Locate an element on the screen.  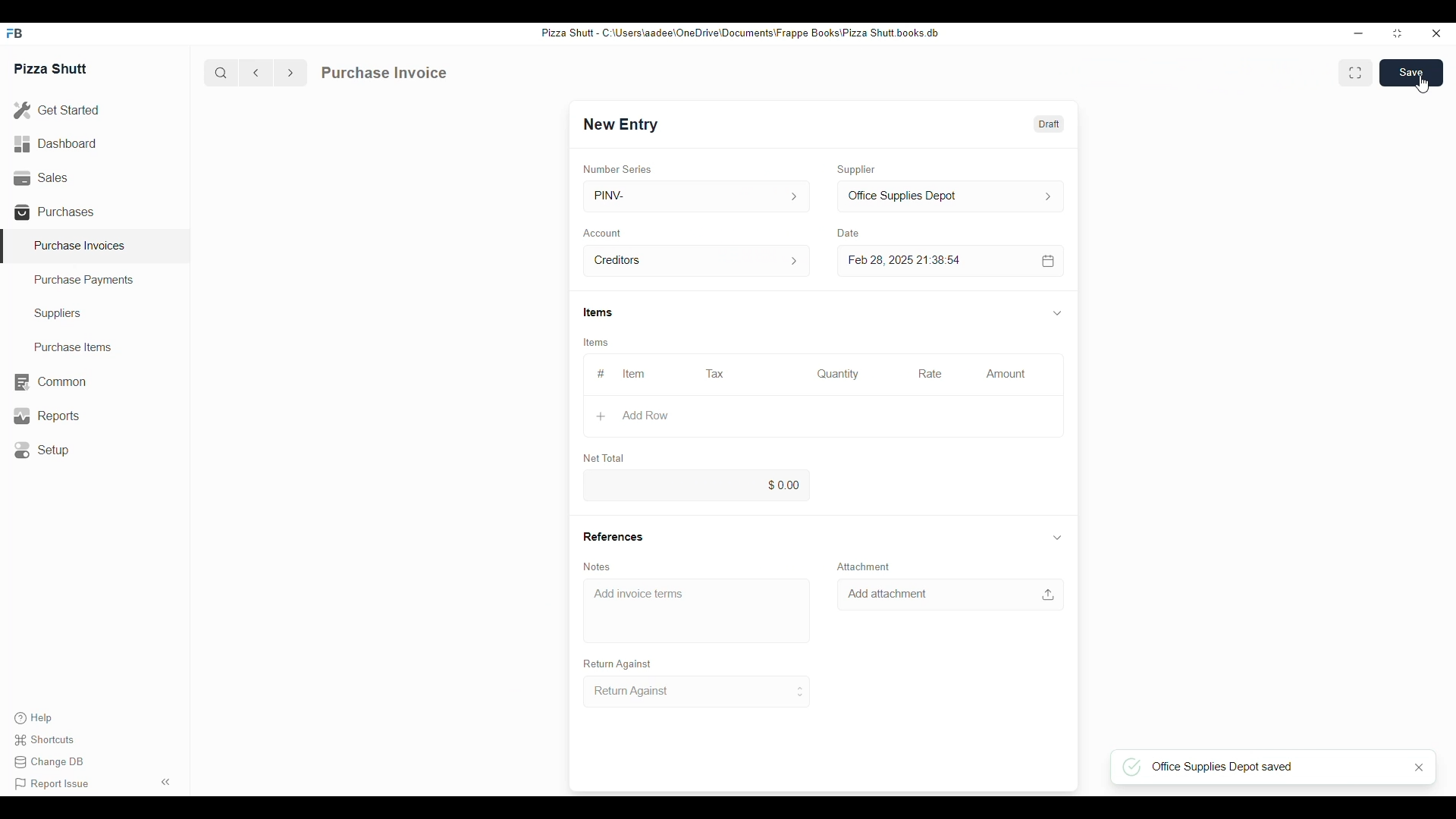
Sales is located at coordinates (39, 176).